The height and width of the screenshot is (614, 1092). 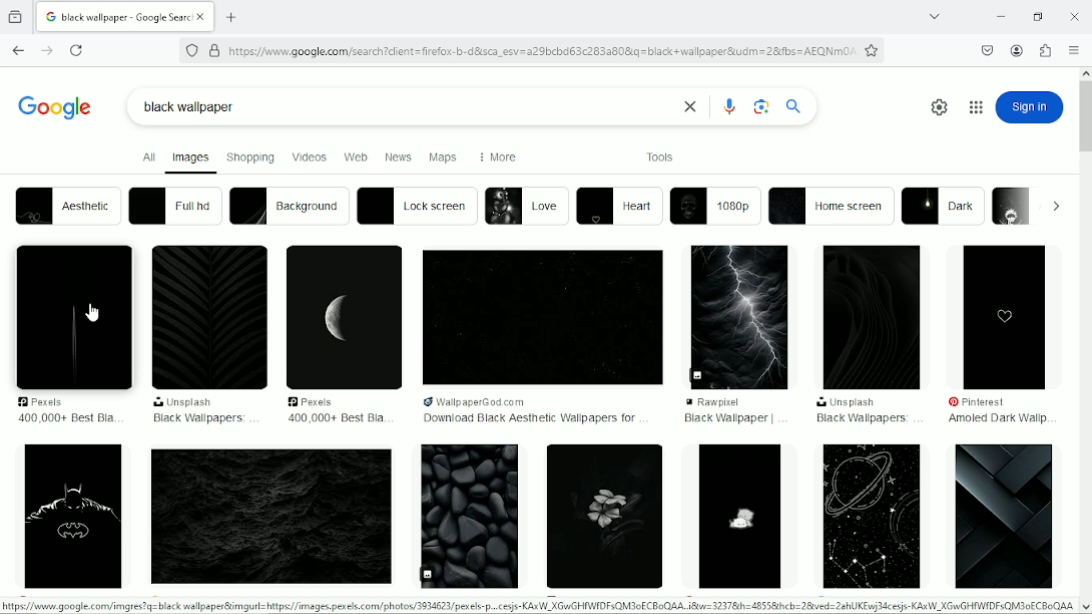 What do you see at coordinates (1005, 516) in the screenshot?
I see `black wallpaper image` at bounding box center [1005, 516].